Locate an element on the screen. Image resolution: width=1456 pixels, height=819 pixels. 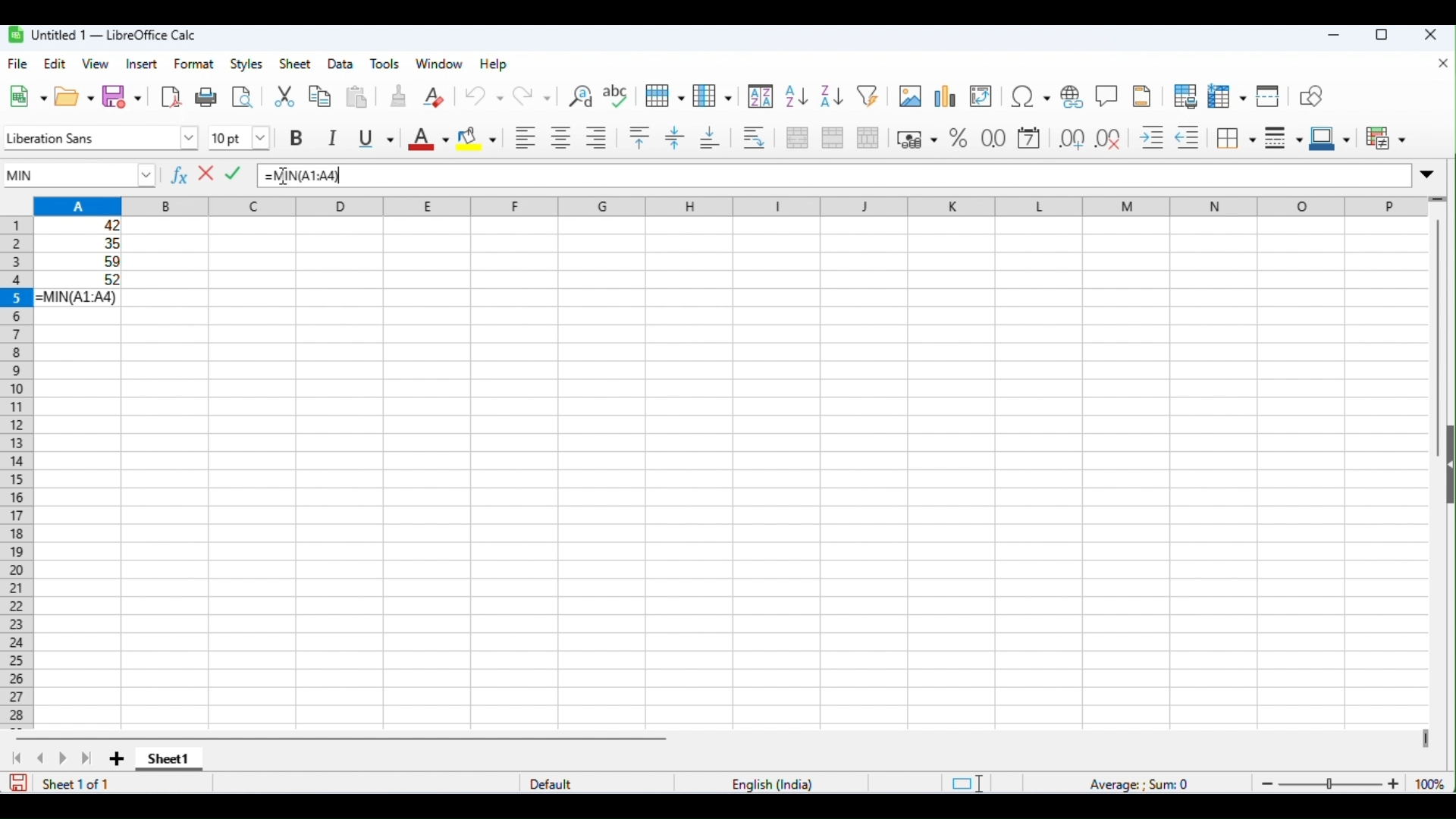
align center is located at coordinates (560, 137).